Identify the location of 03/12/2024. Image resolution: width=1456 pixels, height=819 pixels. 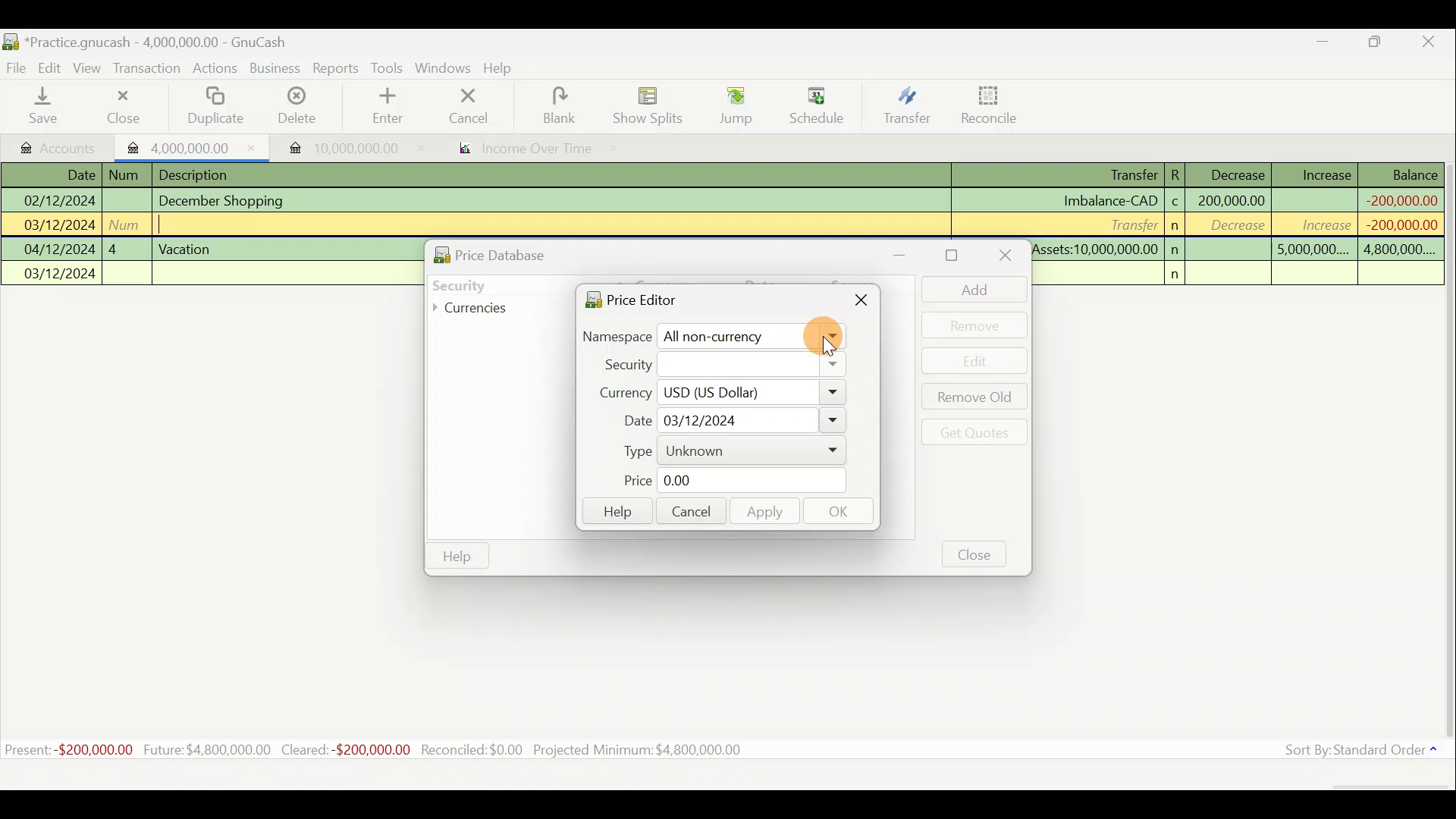
(61, 275).